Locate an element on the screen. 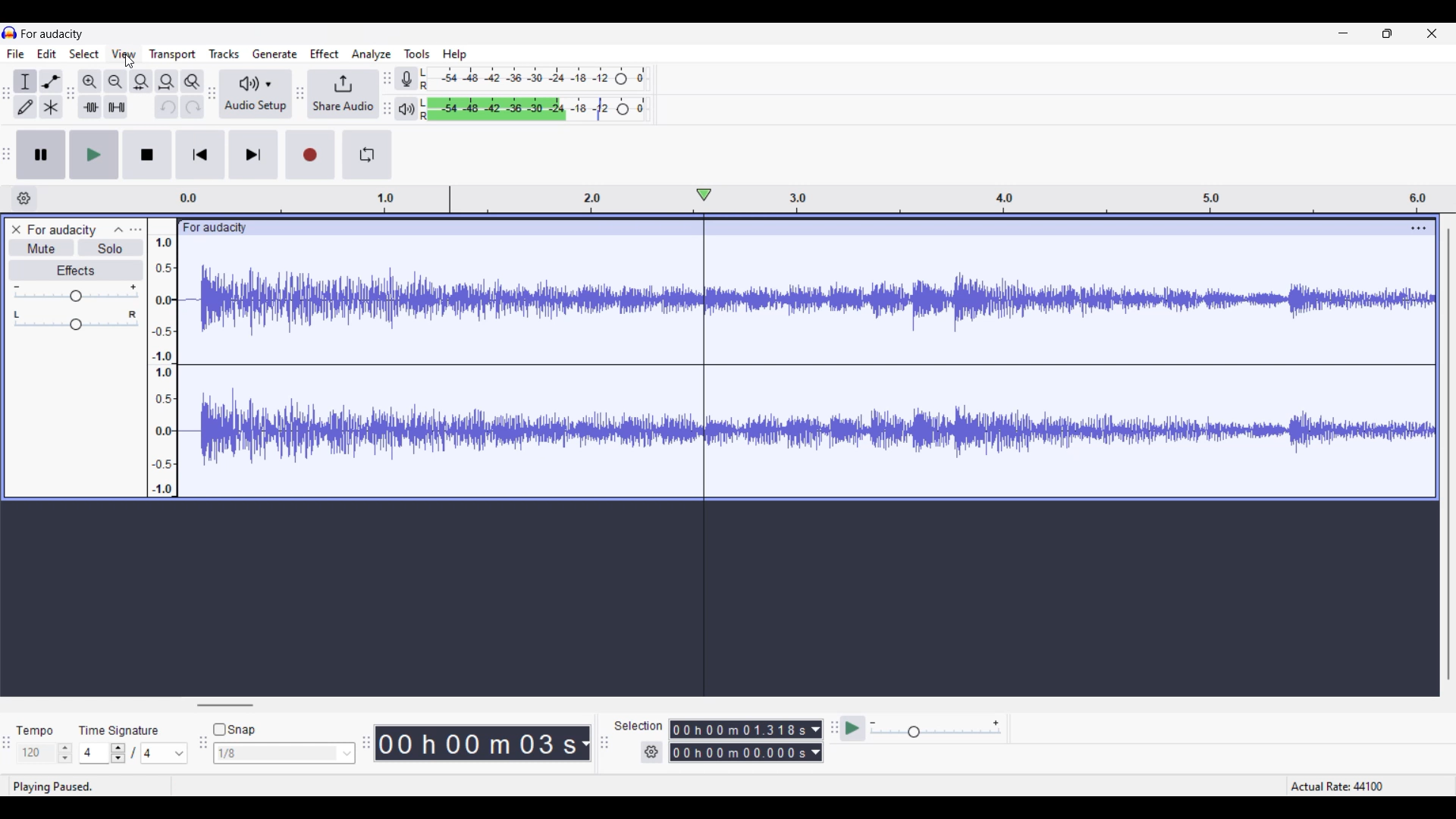 This screenshot has width=1456, height=819. Duration is located at coordinates (476, 742).